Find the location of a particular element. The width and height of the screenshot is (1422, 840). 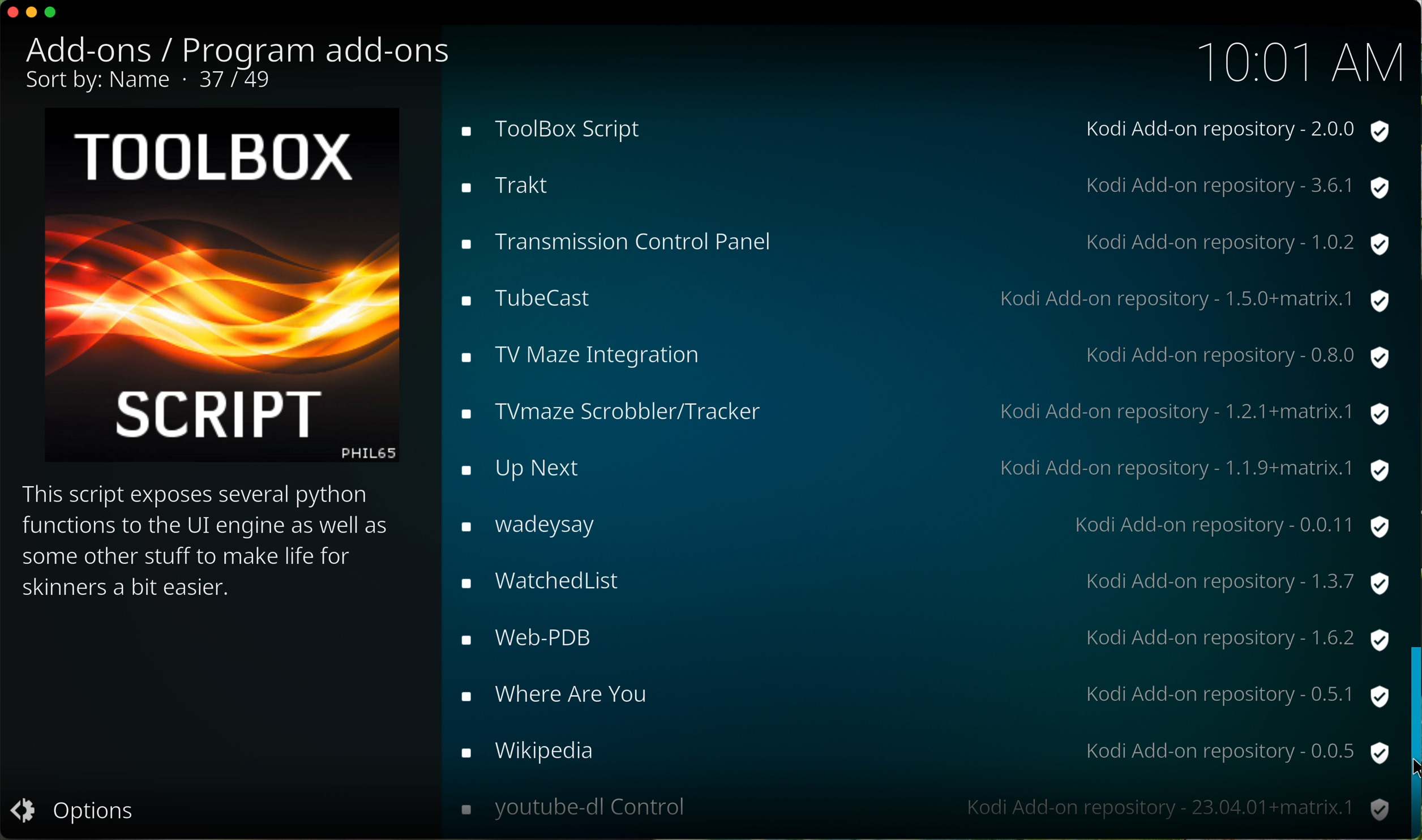

where are you is located at coordinates (927, 693).